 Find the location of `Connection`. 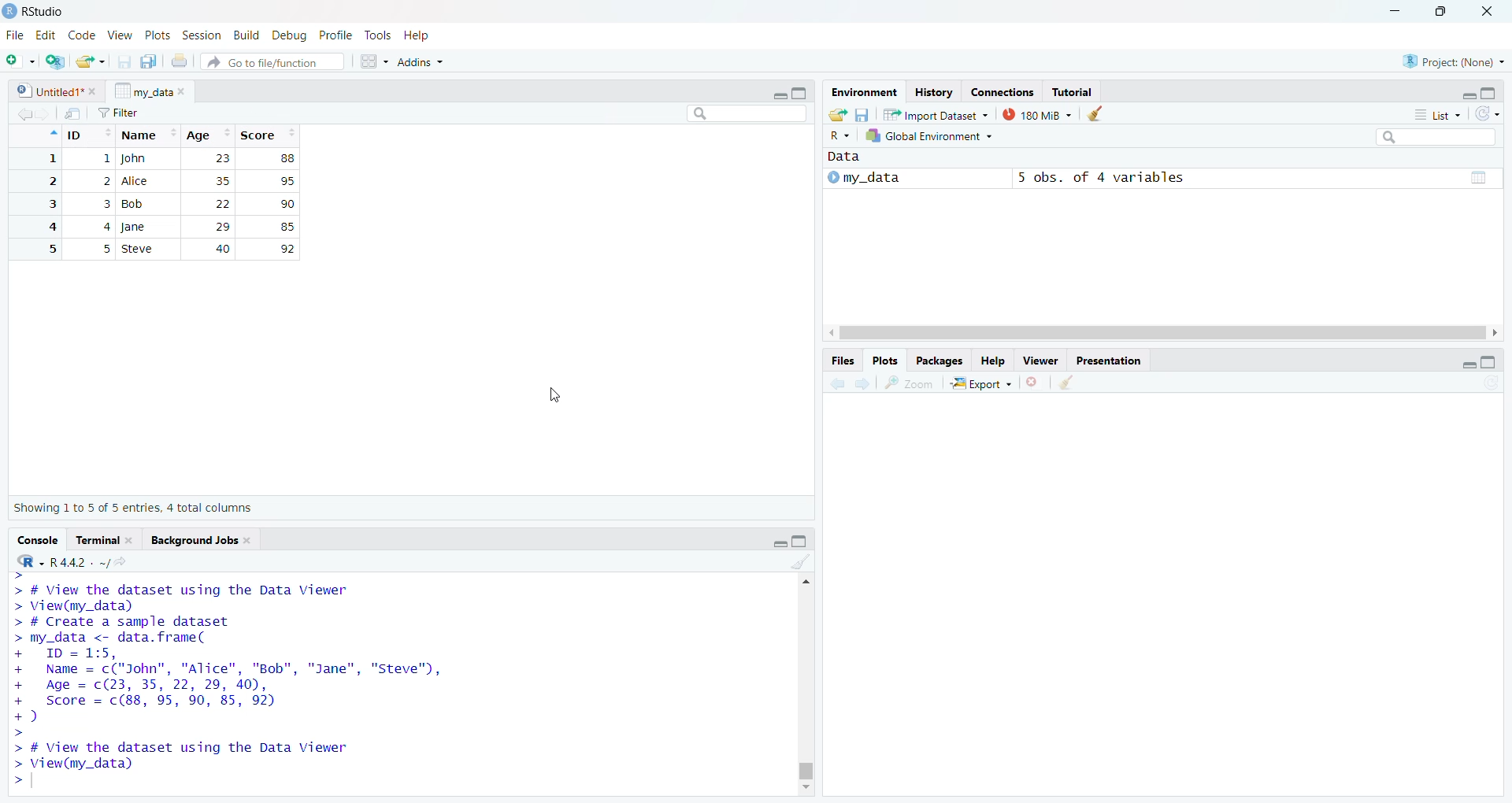

Connection is located at coordinates (1000, 94).